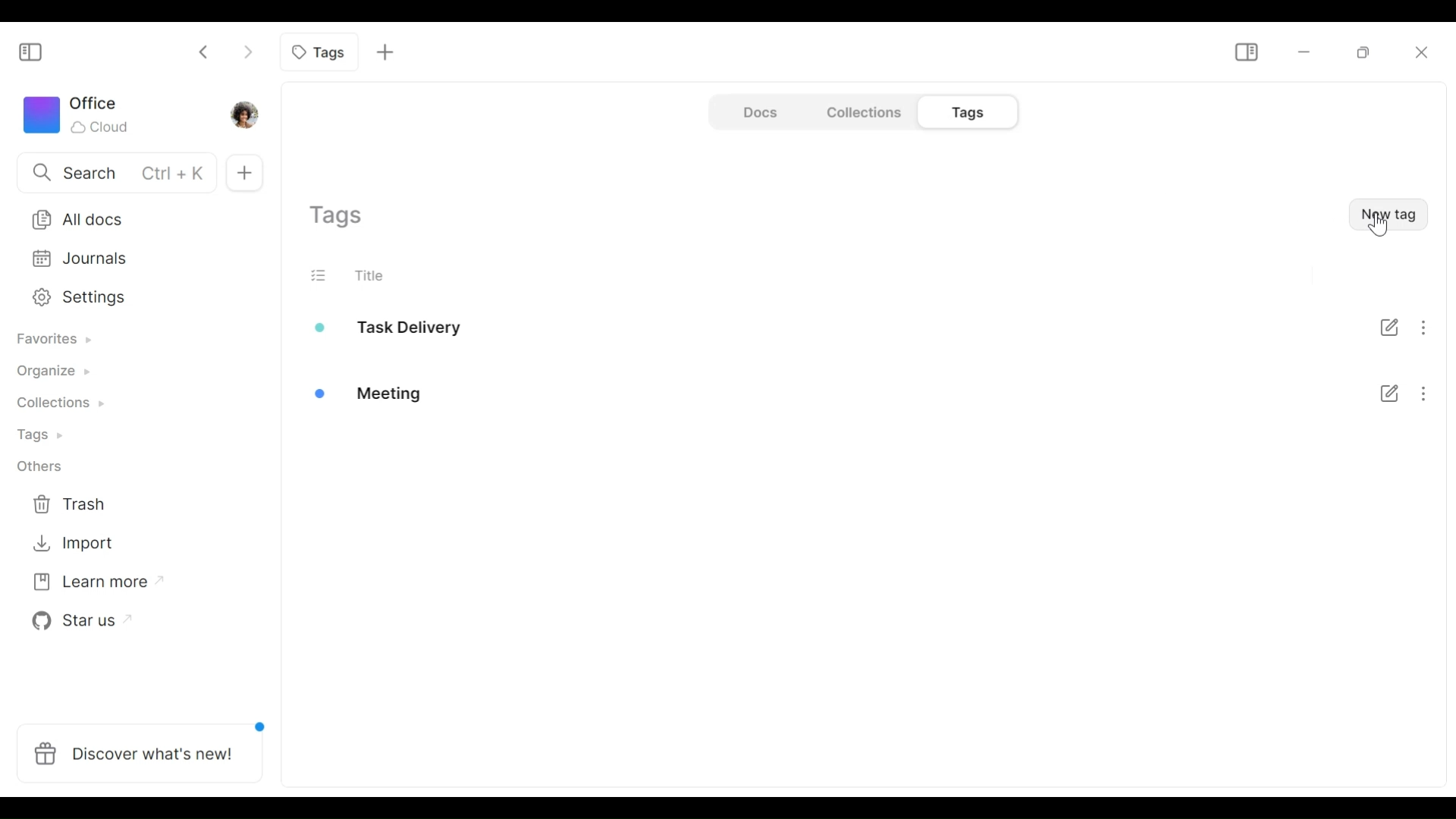 This screenshot has width=1456, height=819. Describe the element at coordinates (1430, 362) in the screenshot. I see `More options` at that location.